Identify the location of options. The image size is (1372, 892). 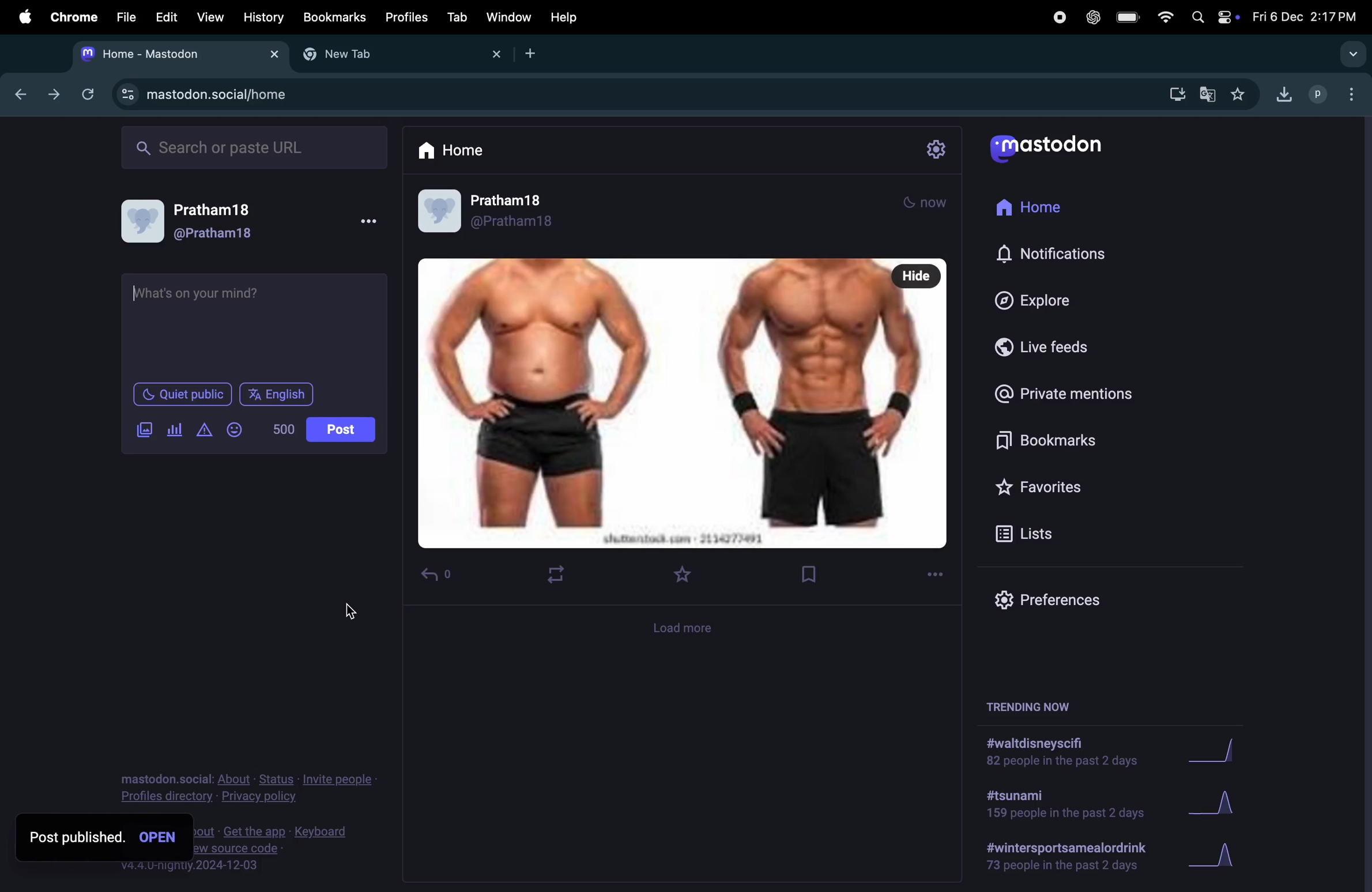
(371, 221).